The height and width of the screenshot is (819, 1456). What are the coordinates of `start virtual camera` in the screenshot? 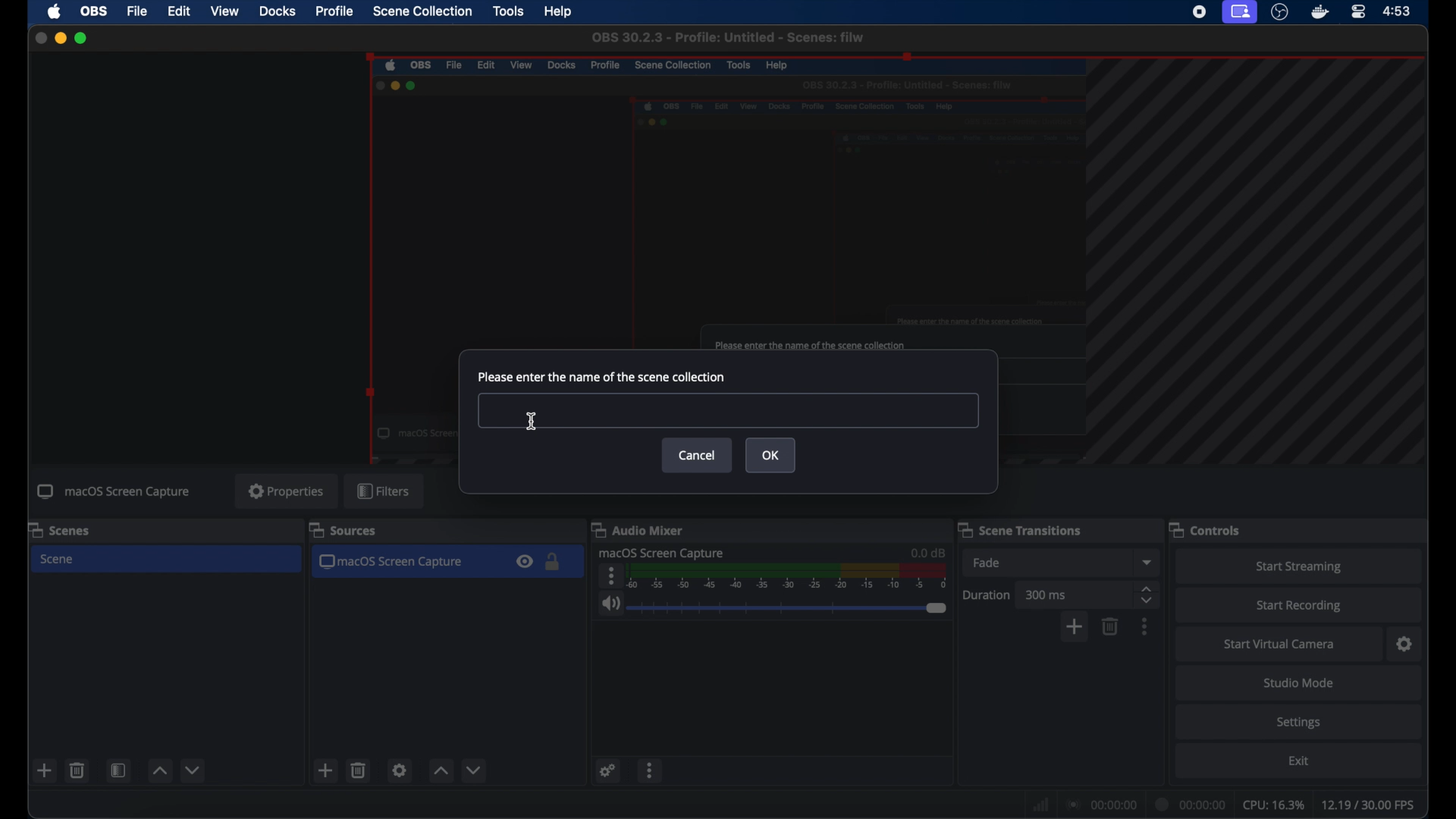 It's located at (1281, 642).